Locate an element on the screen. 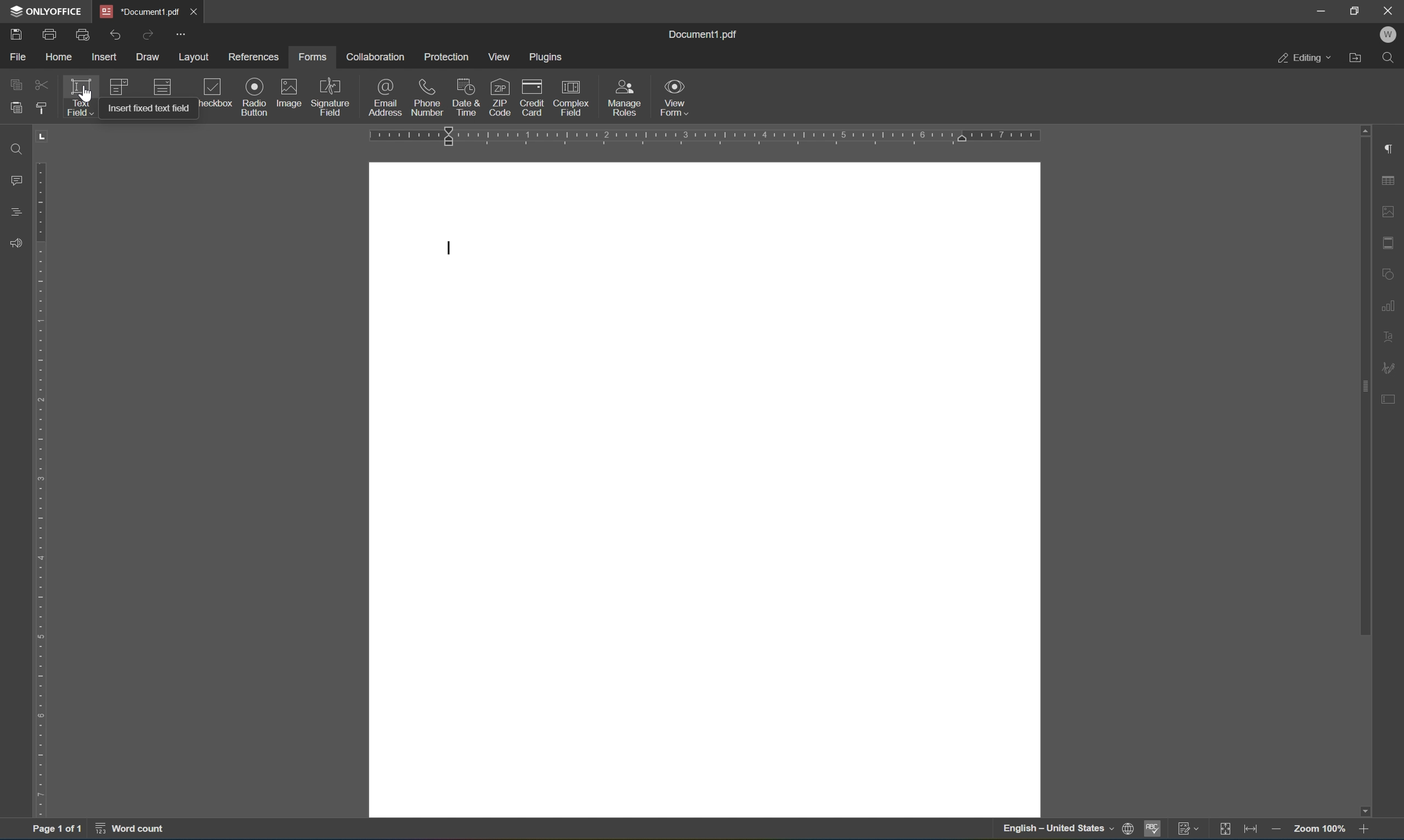 Image resolution: width=1404 pixels, height=840 pixels. insert is located at coordinates (106, 58).